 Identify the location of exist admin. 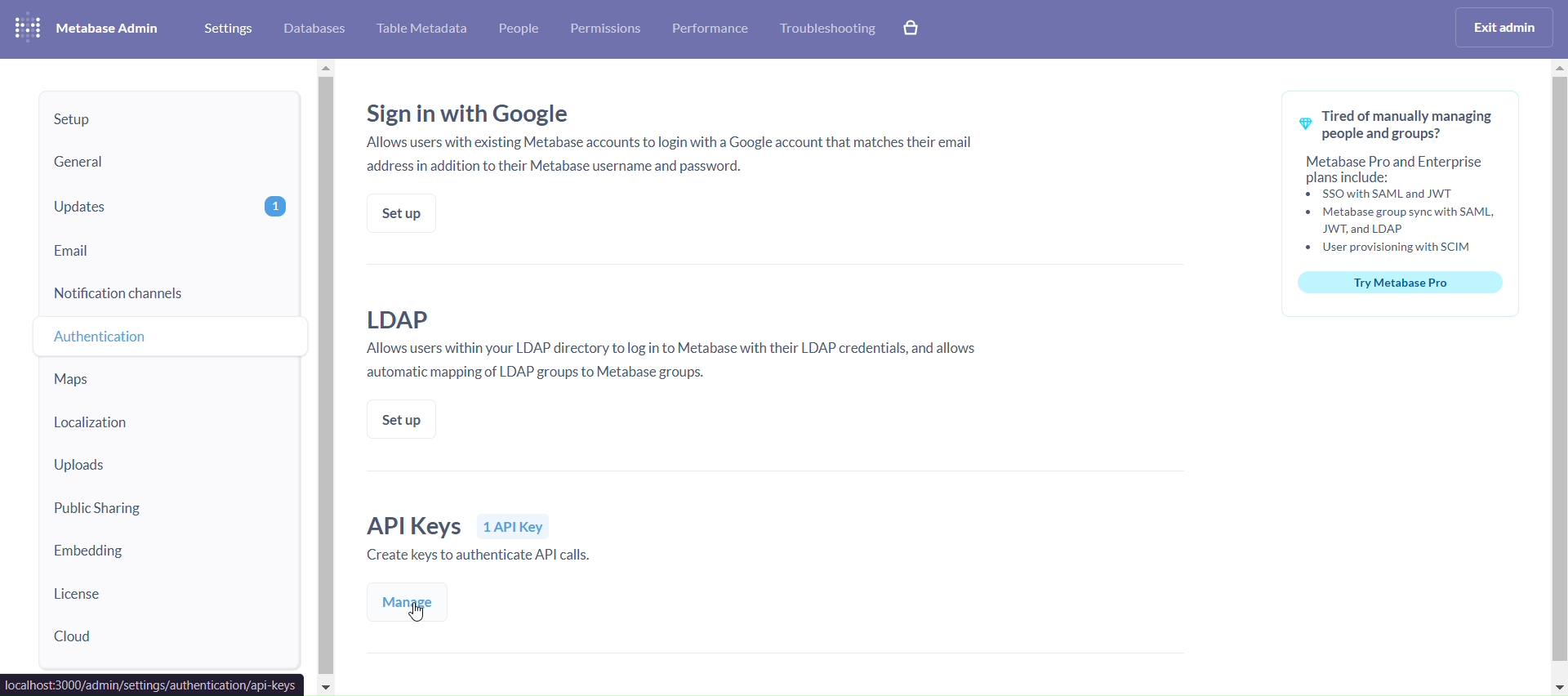
(1506, 26).